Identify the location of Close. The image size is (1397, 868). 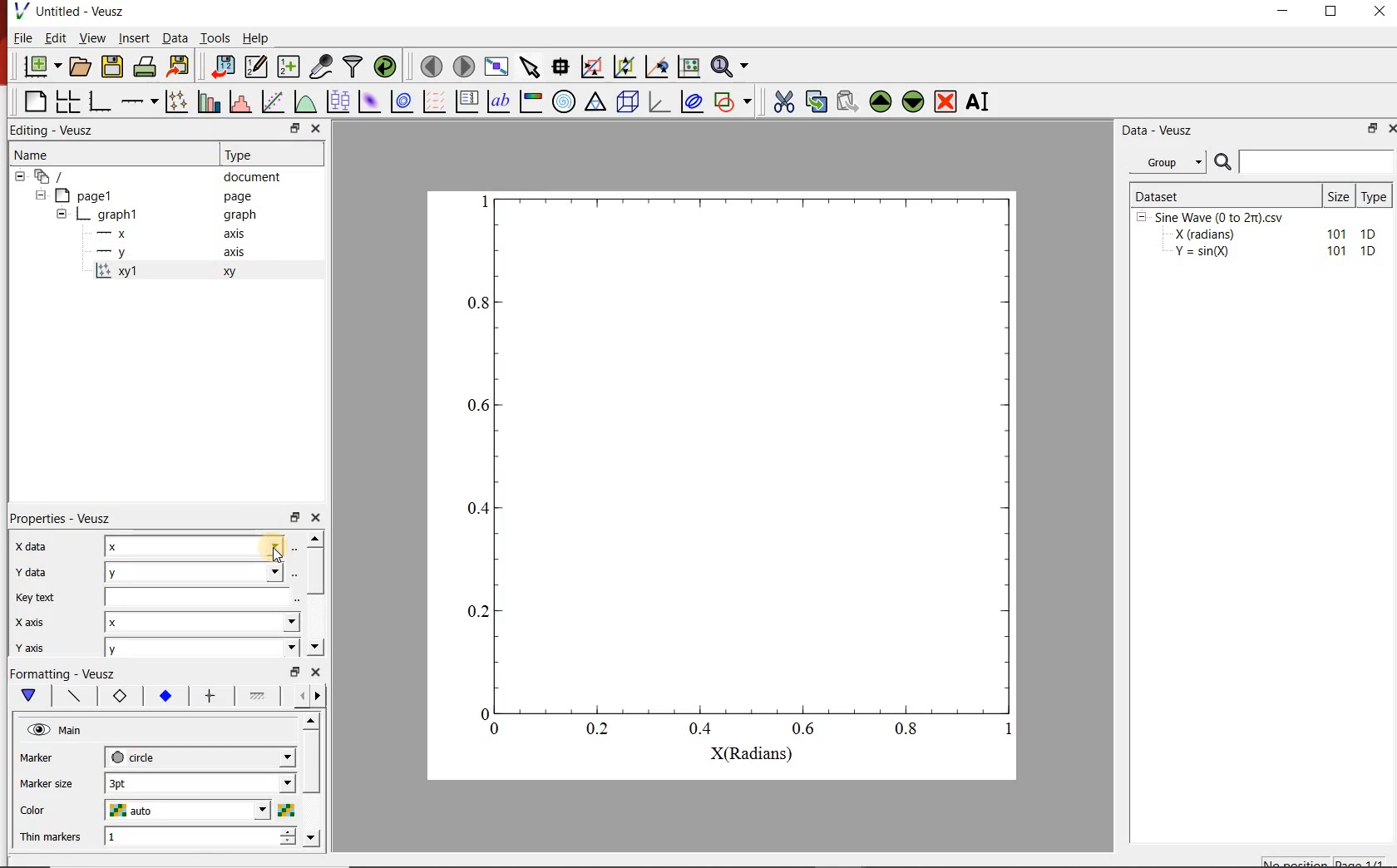
(1381, 11).